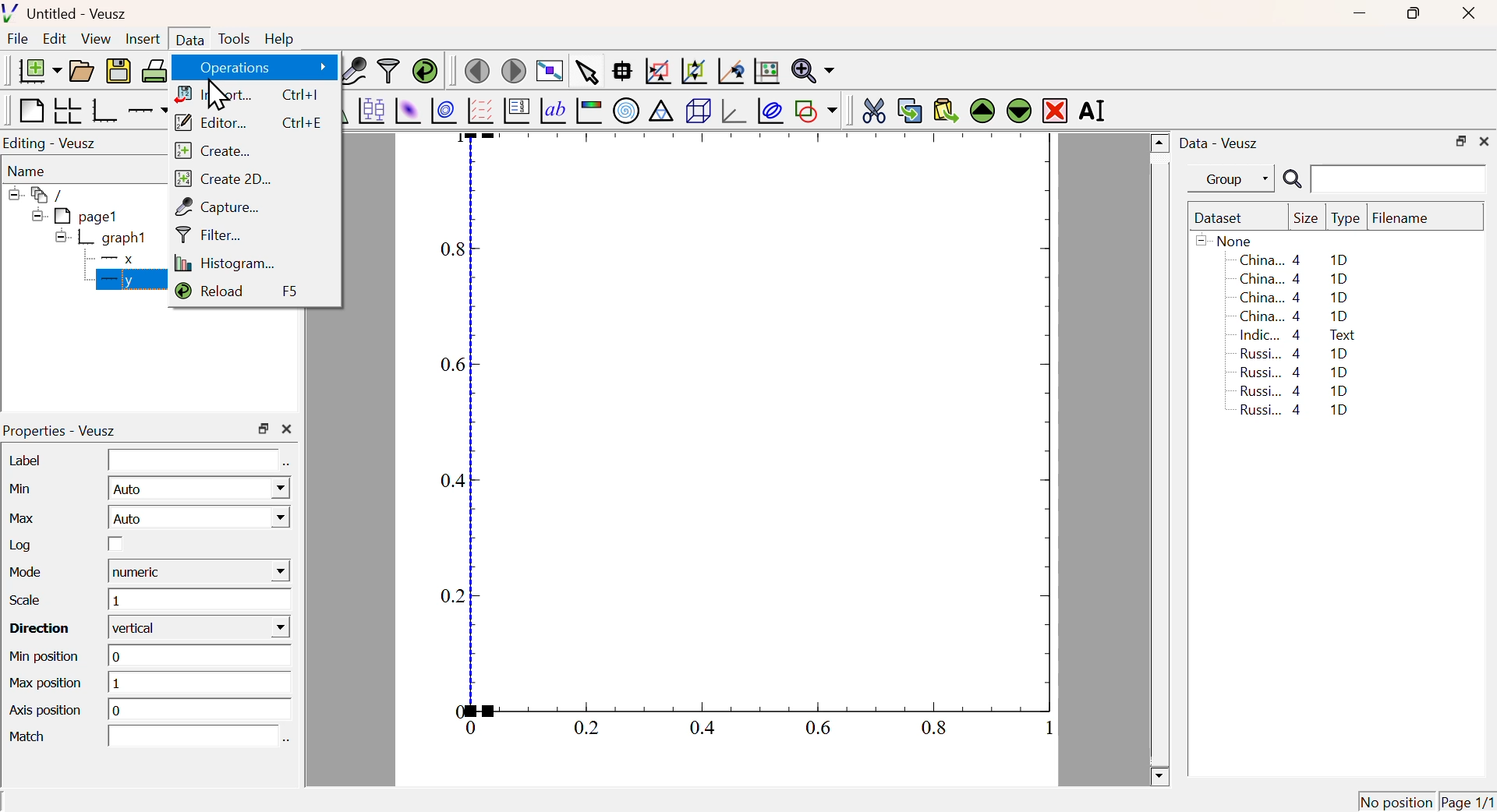  I want to click on Click to reset graph axes, so click(728, 72).